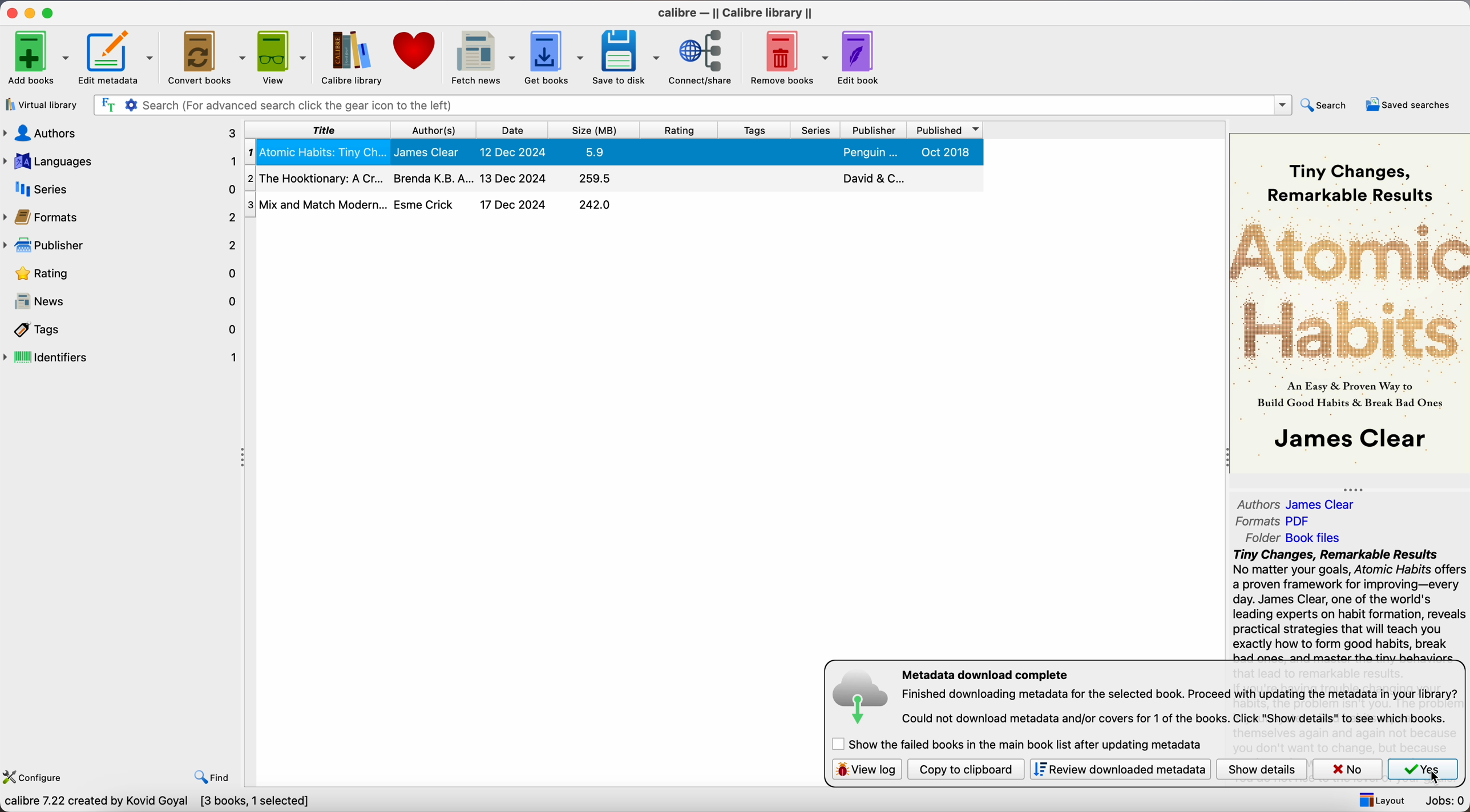 This screenshot has height=812, width=1470. Describe the element at coordinates (512, 130) in the screenshot. I see `date` at that location.